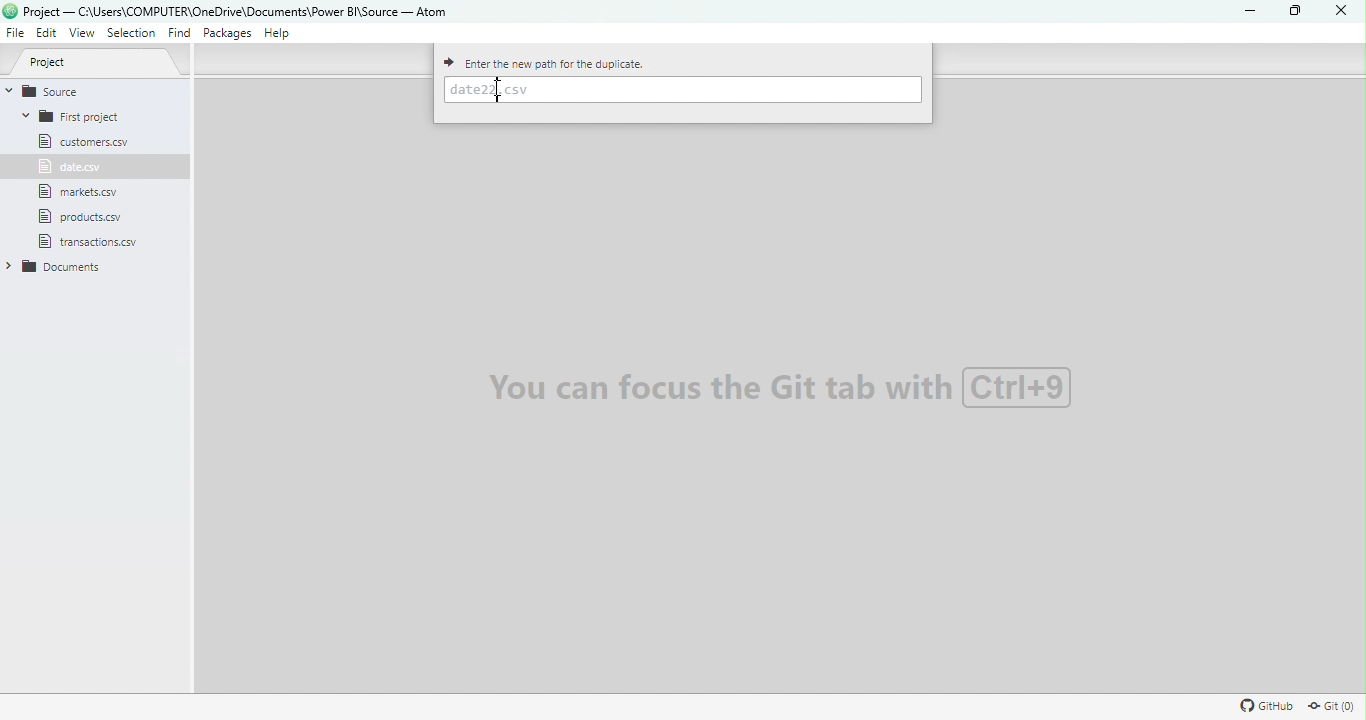 This screenshot has width=1366, height=720. Describe the element at coordinates (66, 167) in the screenshot. I see `File` at that location.